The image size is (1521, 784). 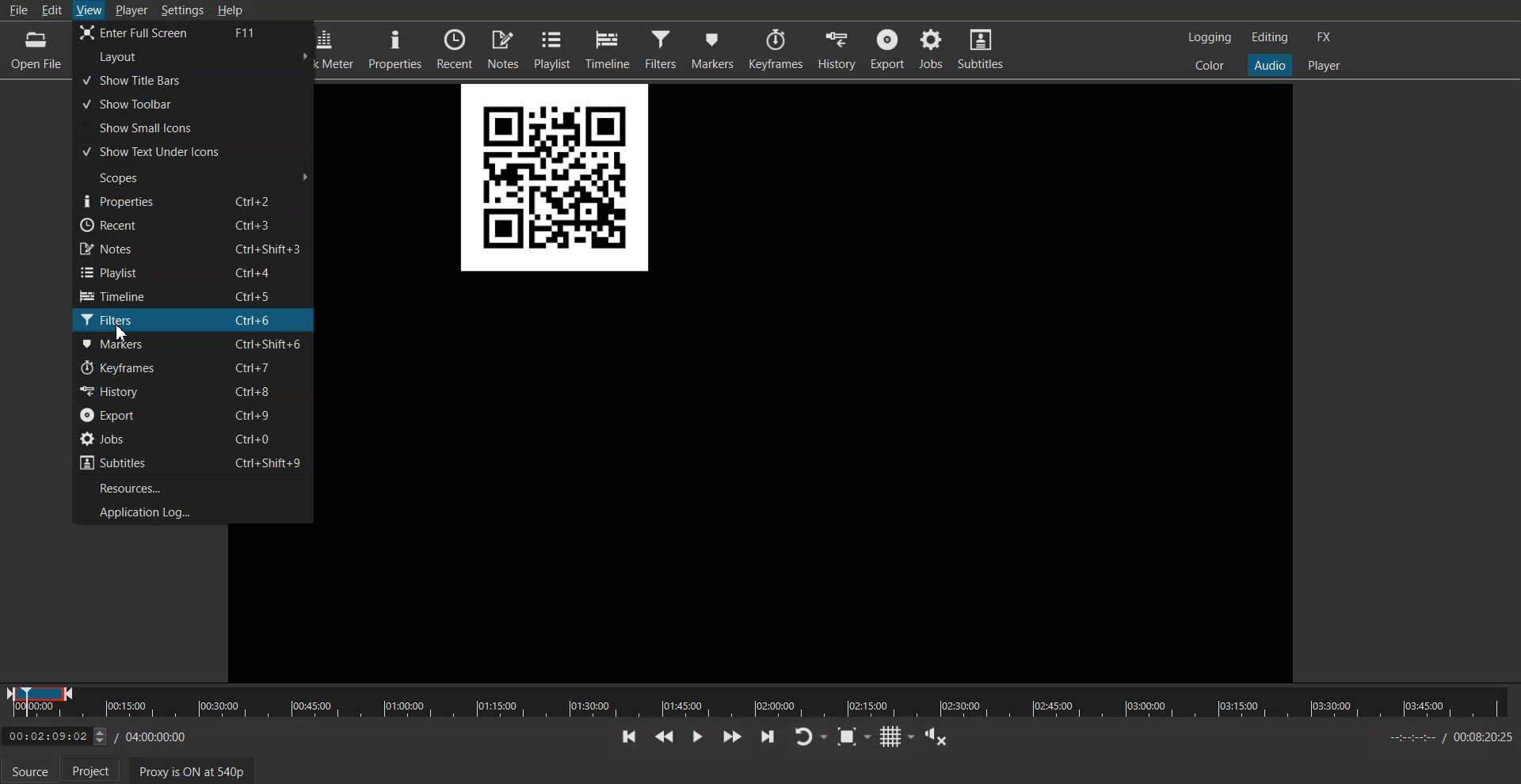 What do you see at coordinates (192, 414) in the screenshot?
I see `Export` at bounding box center [192, 414].